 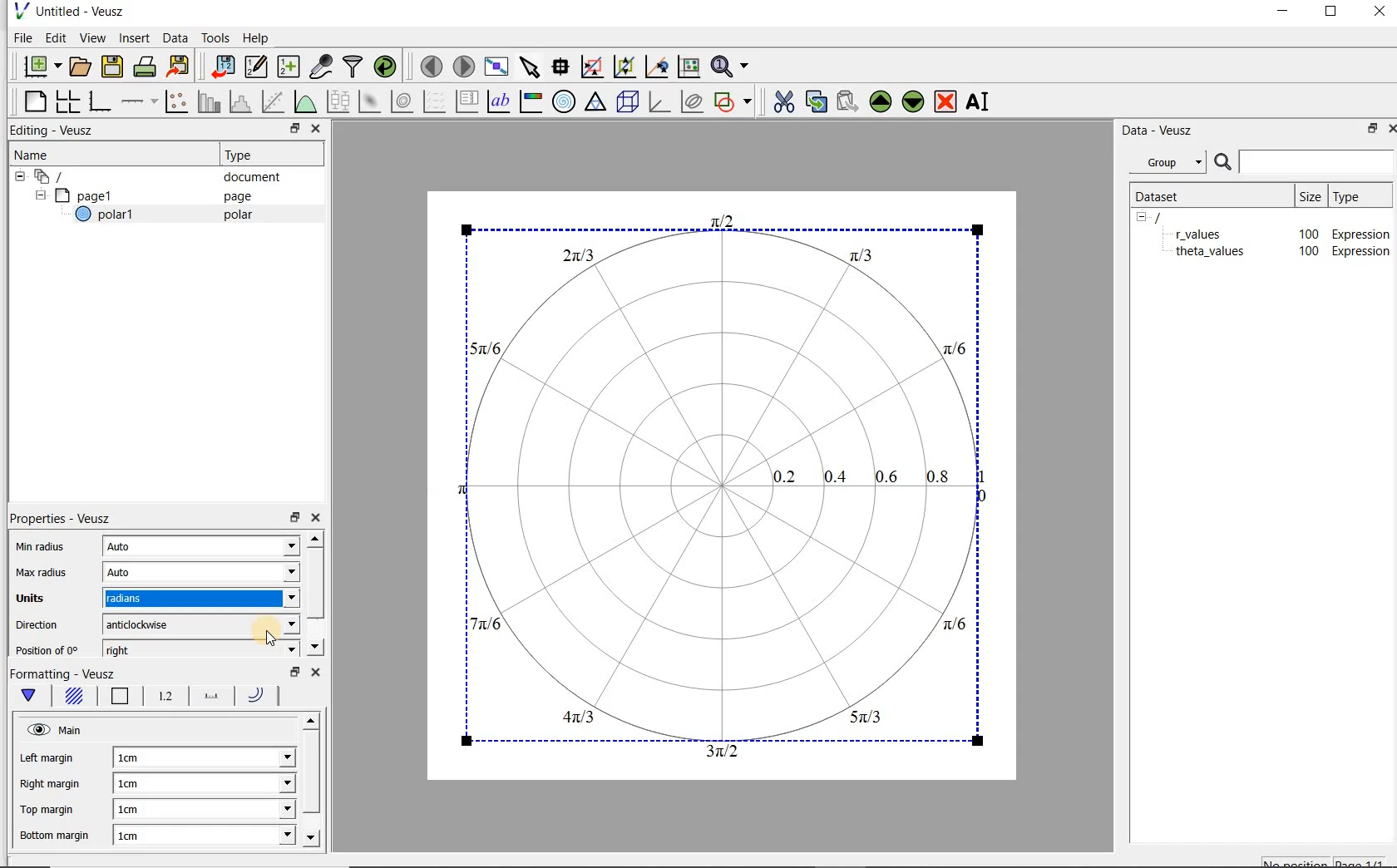 I want to click on add a shape to the plot, so click(x=734, y=100).